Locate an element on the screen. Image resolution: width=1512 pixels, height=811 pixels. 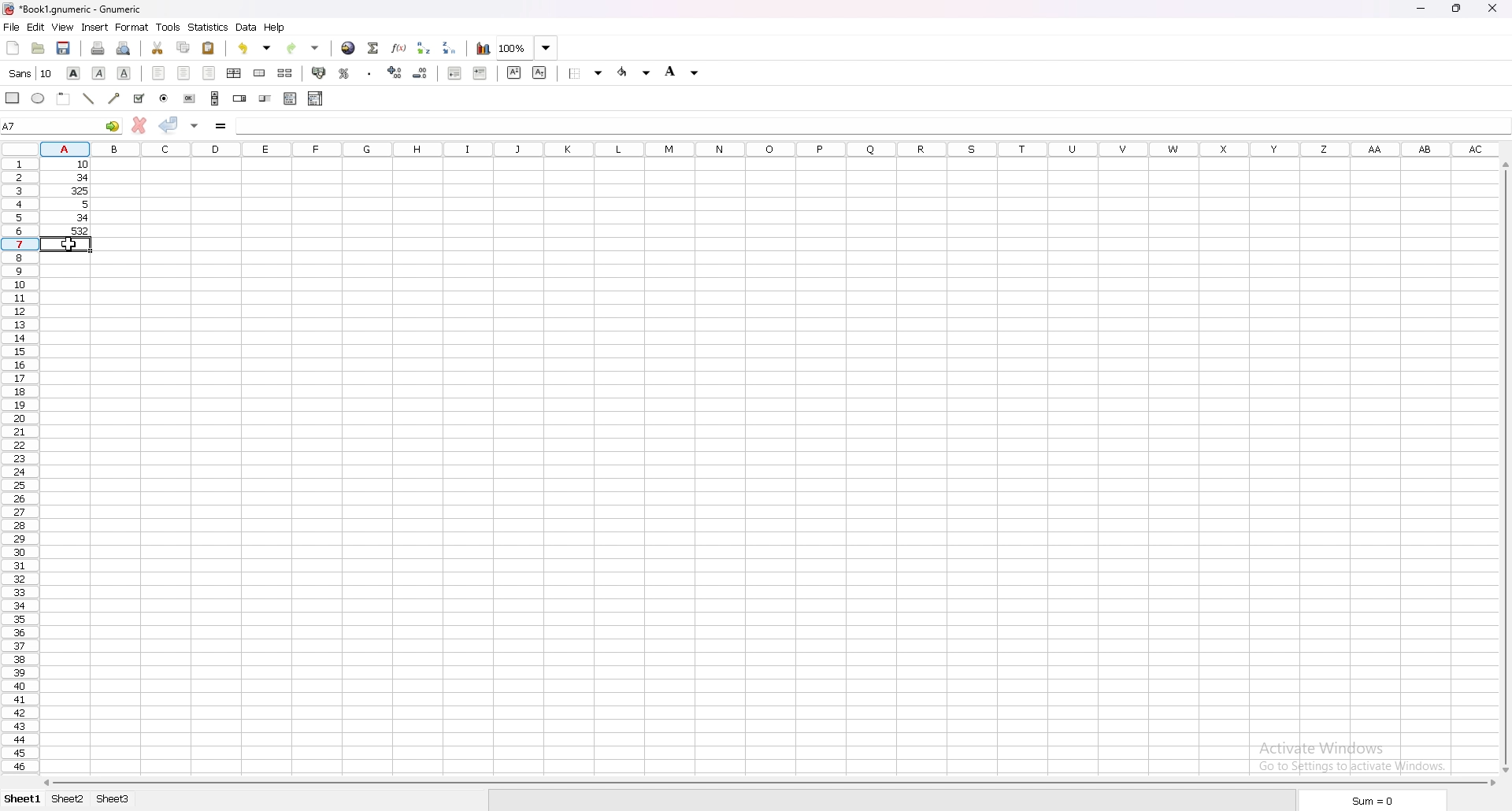
split merged cells is located at coordinates (285, 72).